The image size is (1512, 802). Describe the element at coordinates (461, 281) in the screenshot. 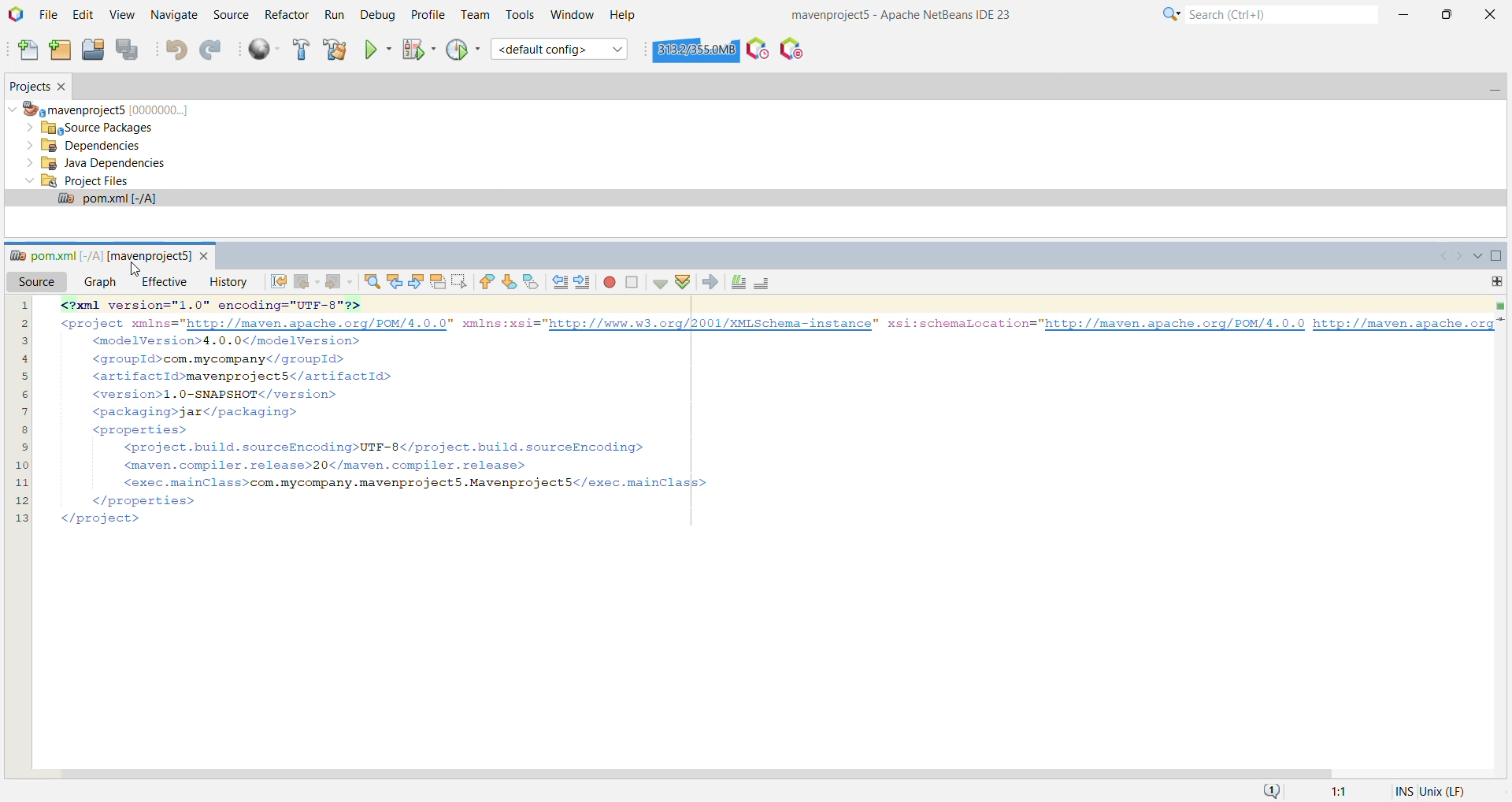

I see `Toggle Rectangular Selection` at that location.